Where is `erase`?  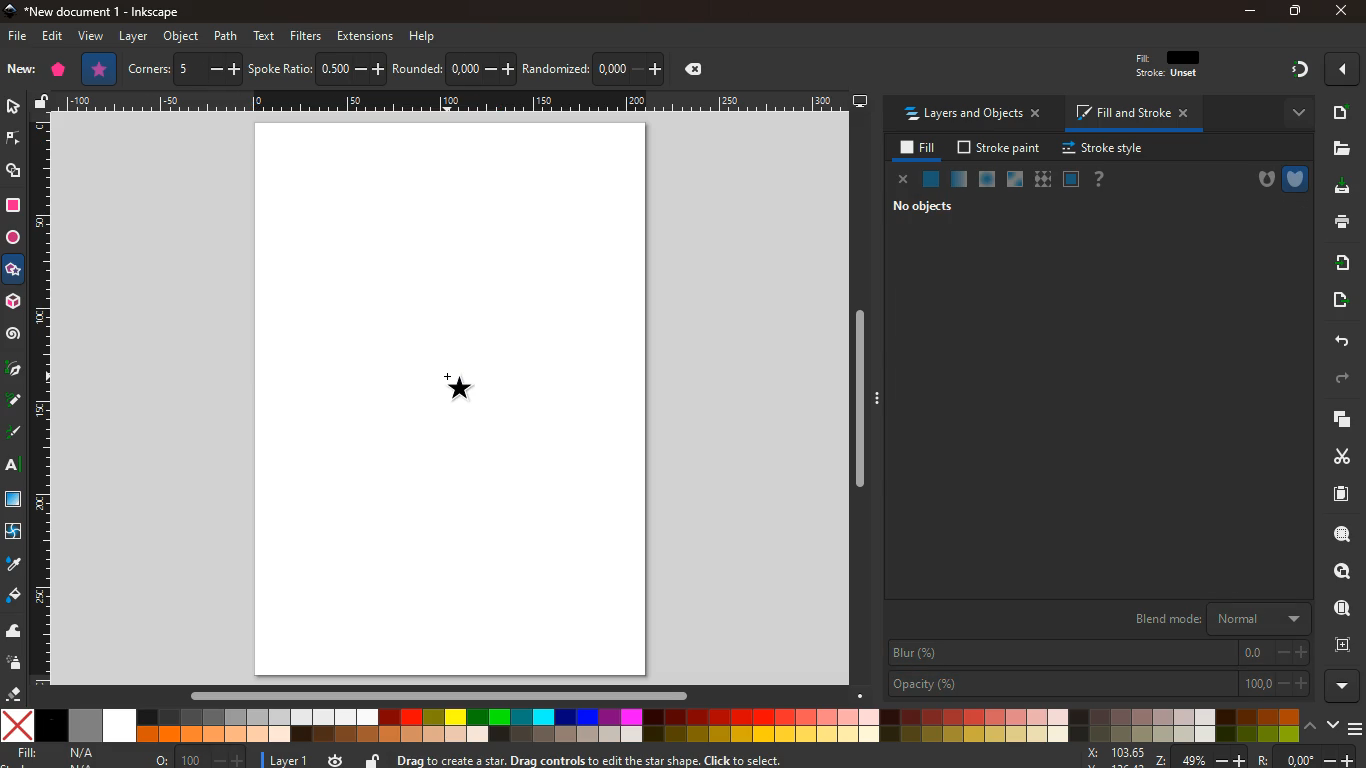
erase is located at coordinates (14, 692).